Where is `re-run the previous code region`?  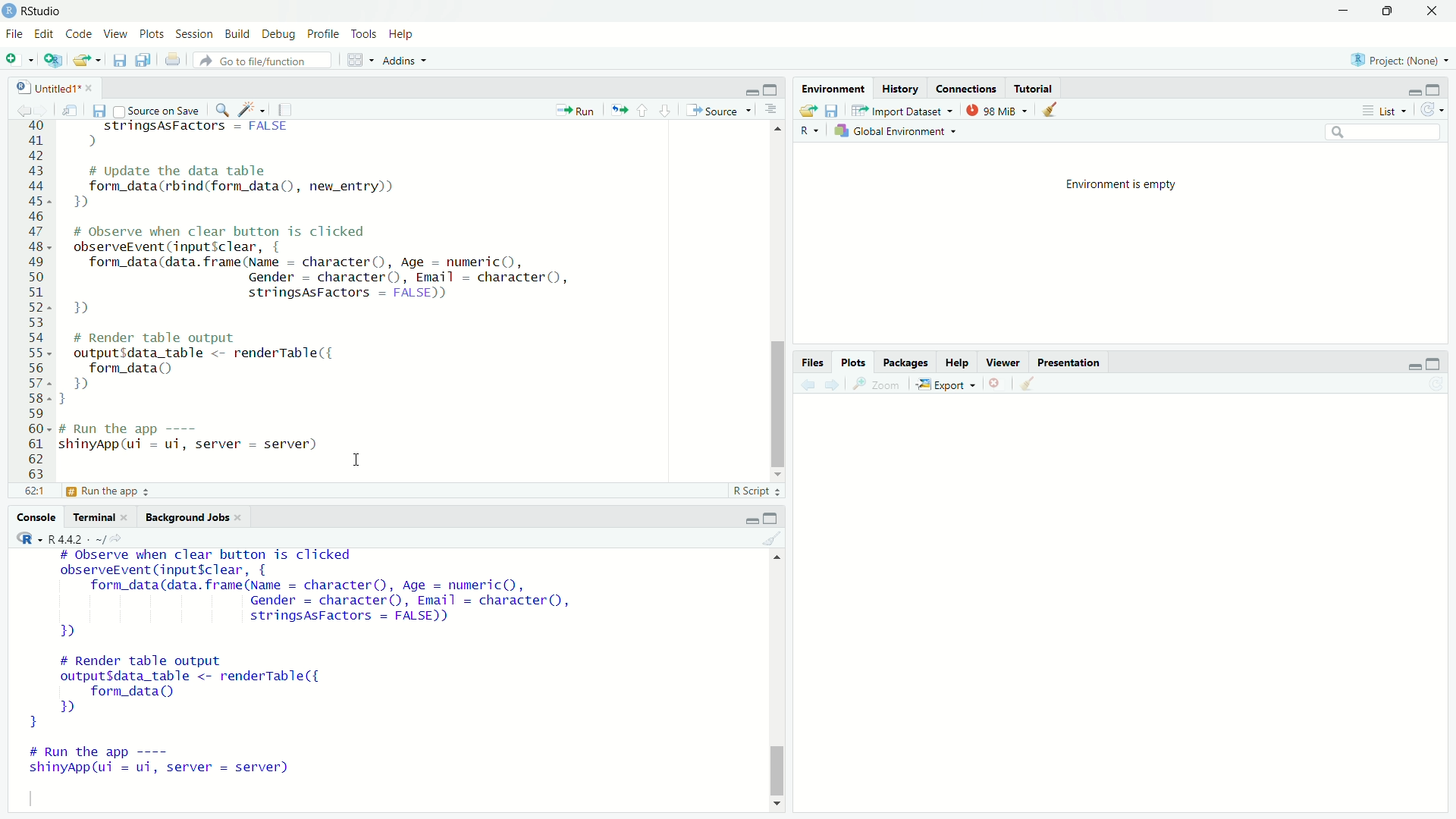
re-run the previous code region is located at coordinates (616, 109).